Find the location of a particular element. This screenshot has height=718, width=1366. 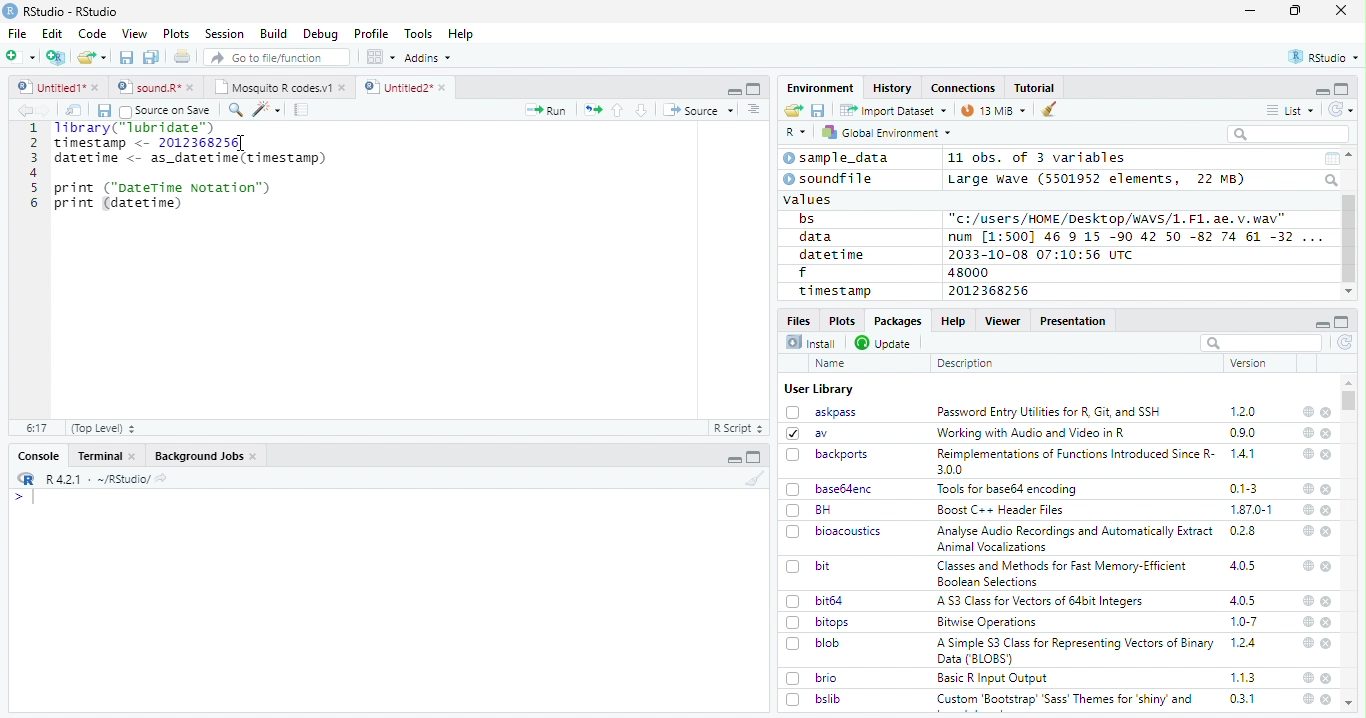

close is located at coordinates (1326, 489).